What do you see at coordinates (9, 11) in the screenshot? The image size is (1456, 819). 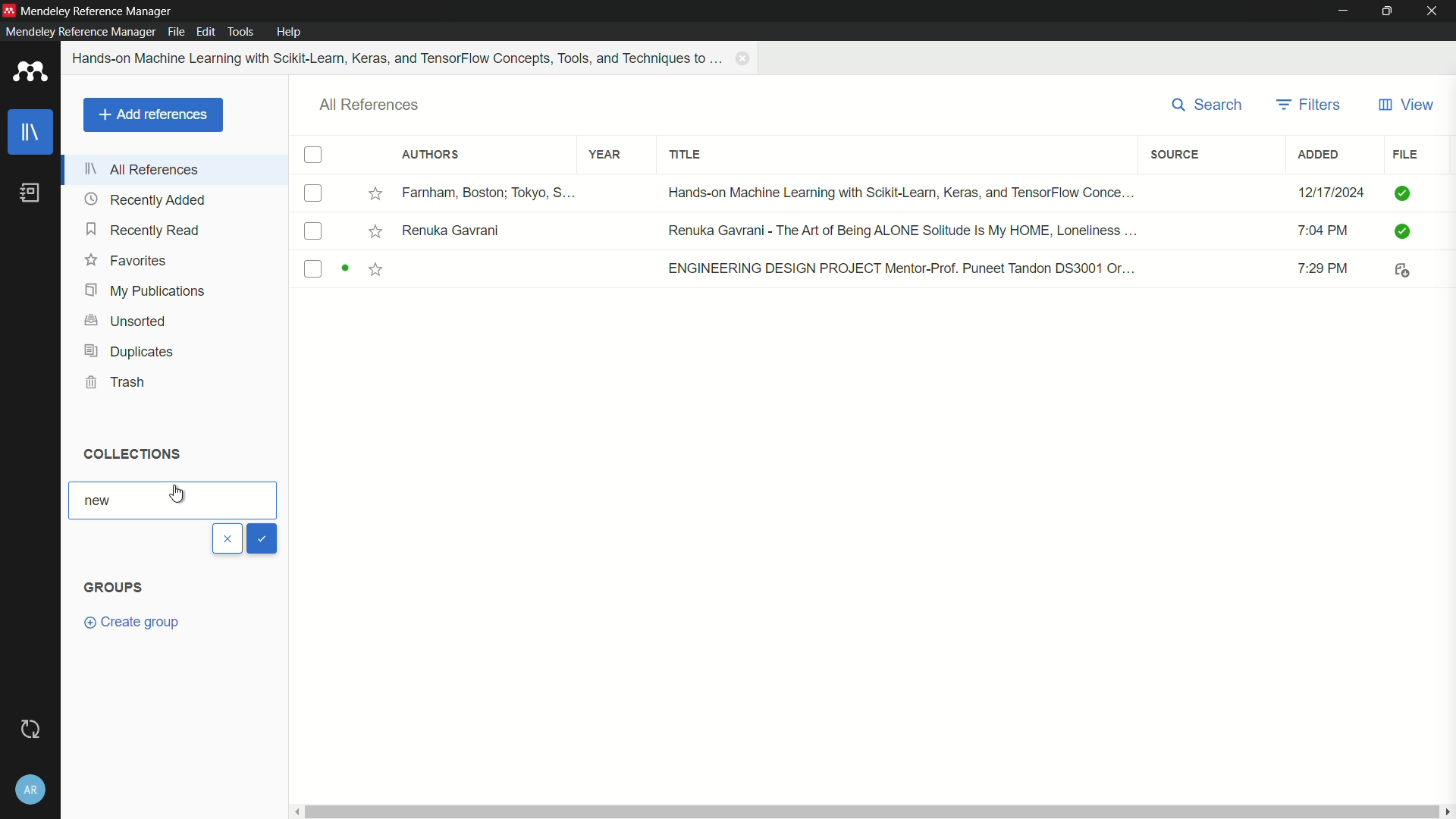 I see `app icon` at bounding box center [9, 11].